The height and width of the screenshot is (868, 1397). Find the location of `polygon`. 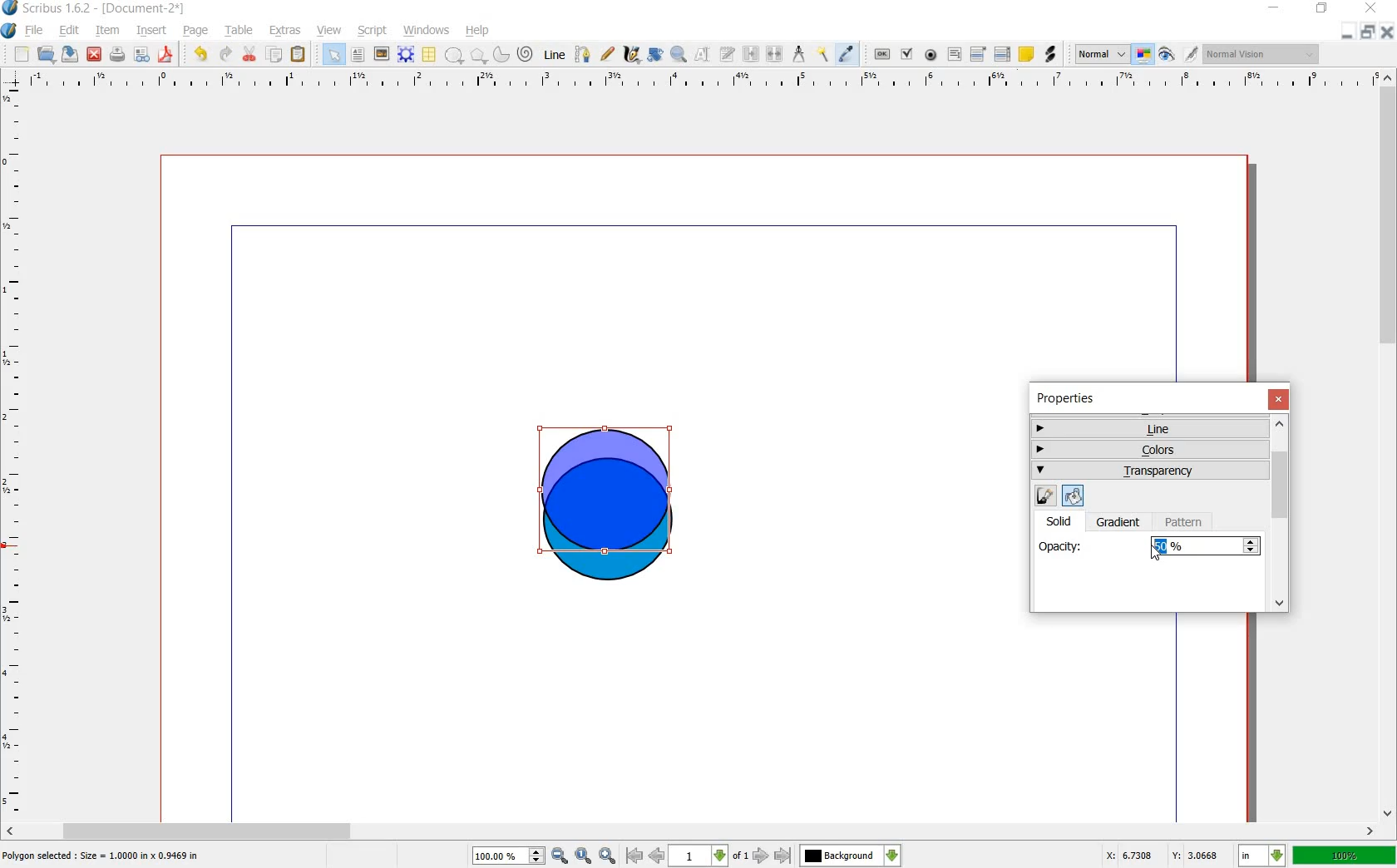

polygon is located at coordinates (477, 56).